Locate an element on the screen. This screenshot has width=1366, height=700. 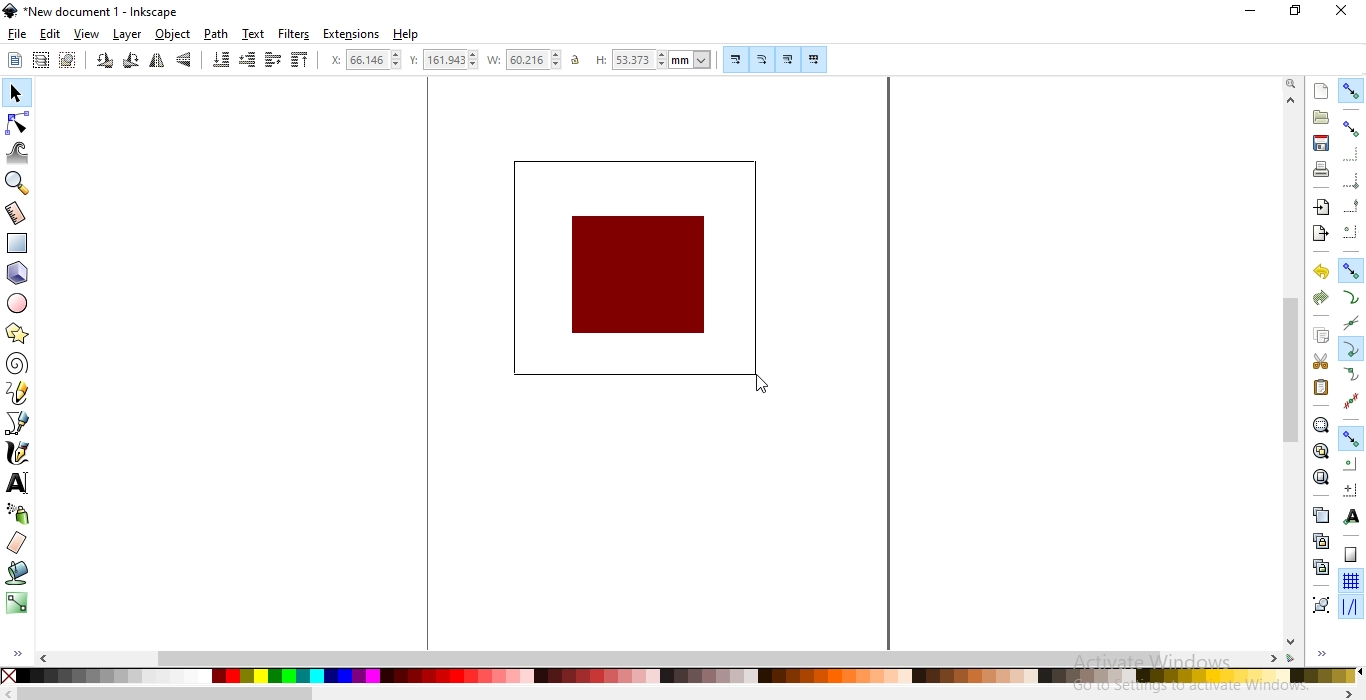
new document 1- Inkscape is located at coordinates (98, 12).